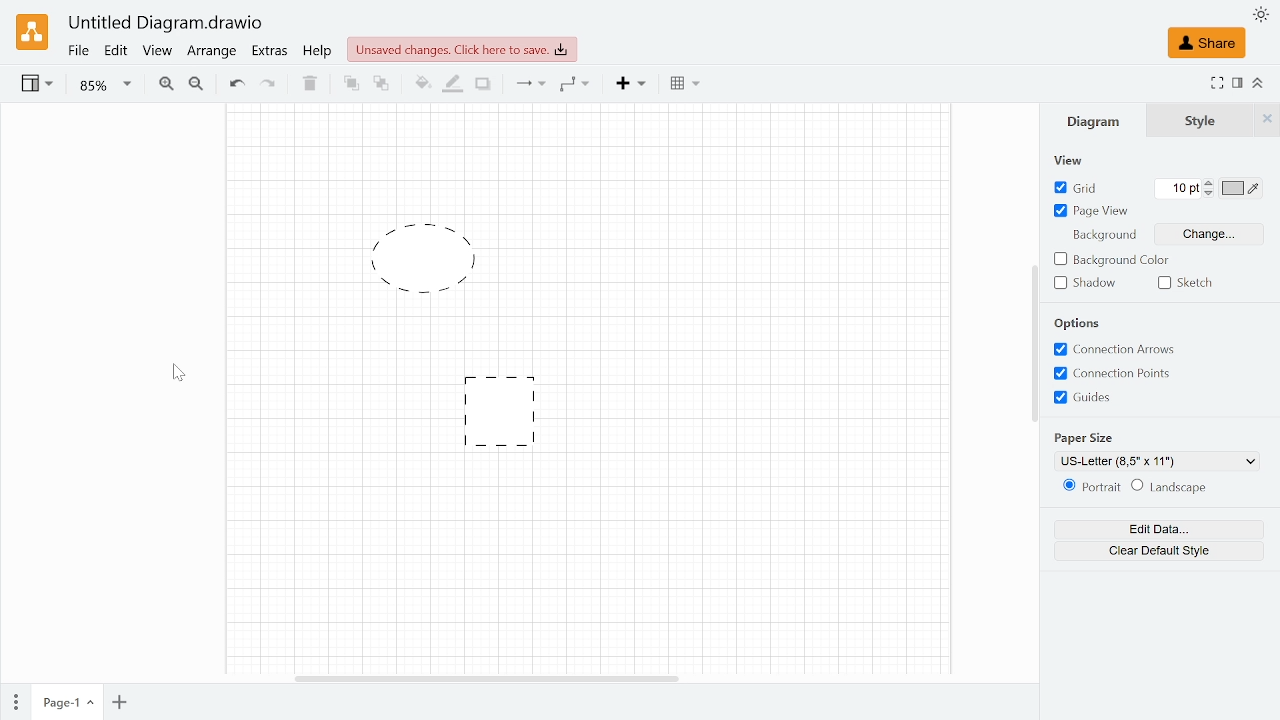  What do you see at coordinates (167, 24) in the screenshot?
I see `Current window` at bounding box center [167, 24].